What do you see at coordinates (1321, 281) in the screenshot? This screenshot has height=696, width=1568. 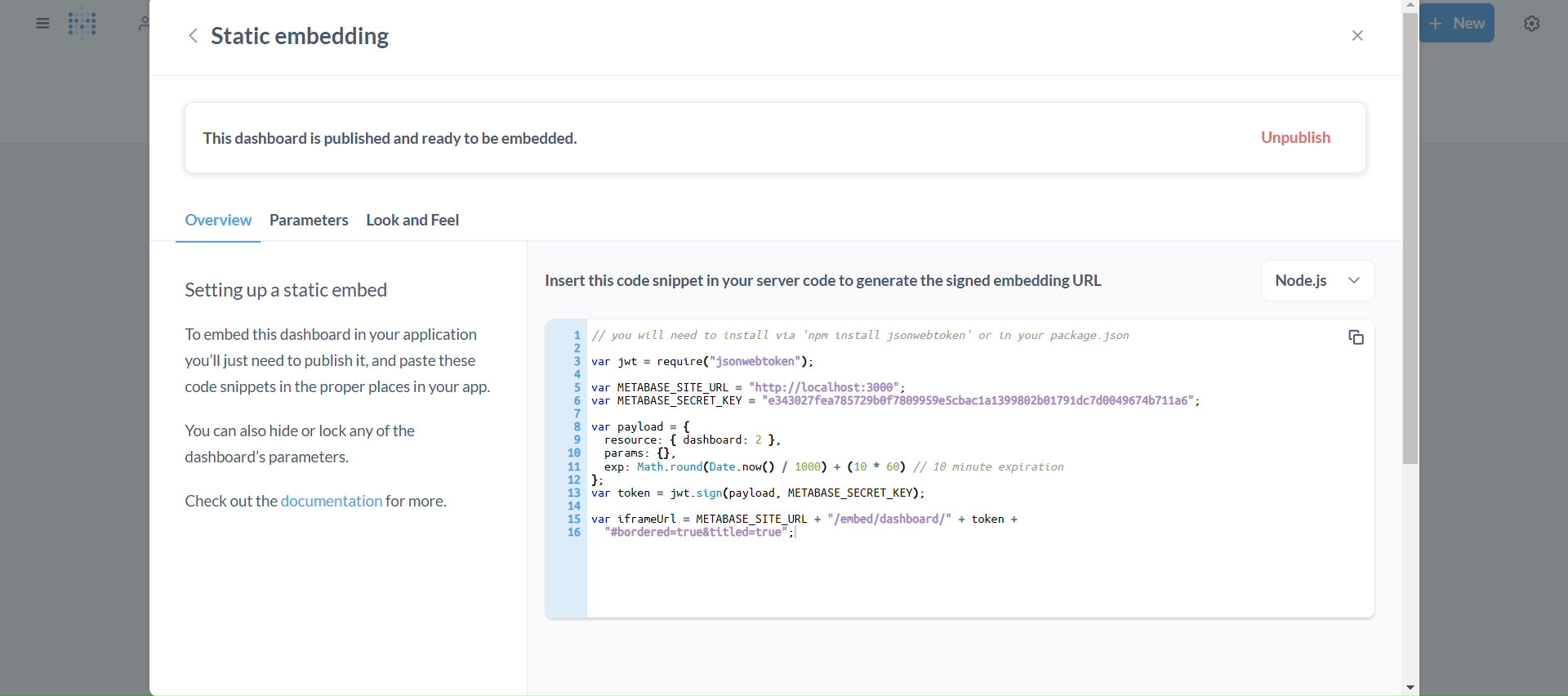 I see `node.js` at bounding box center [1321, 281].